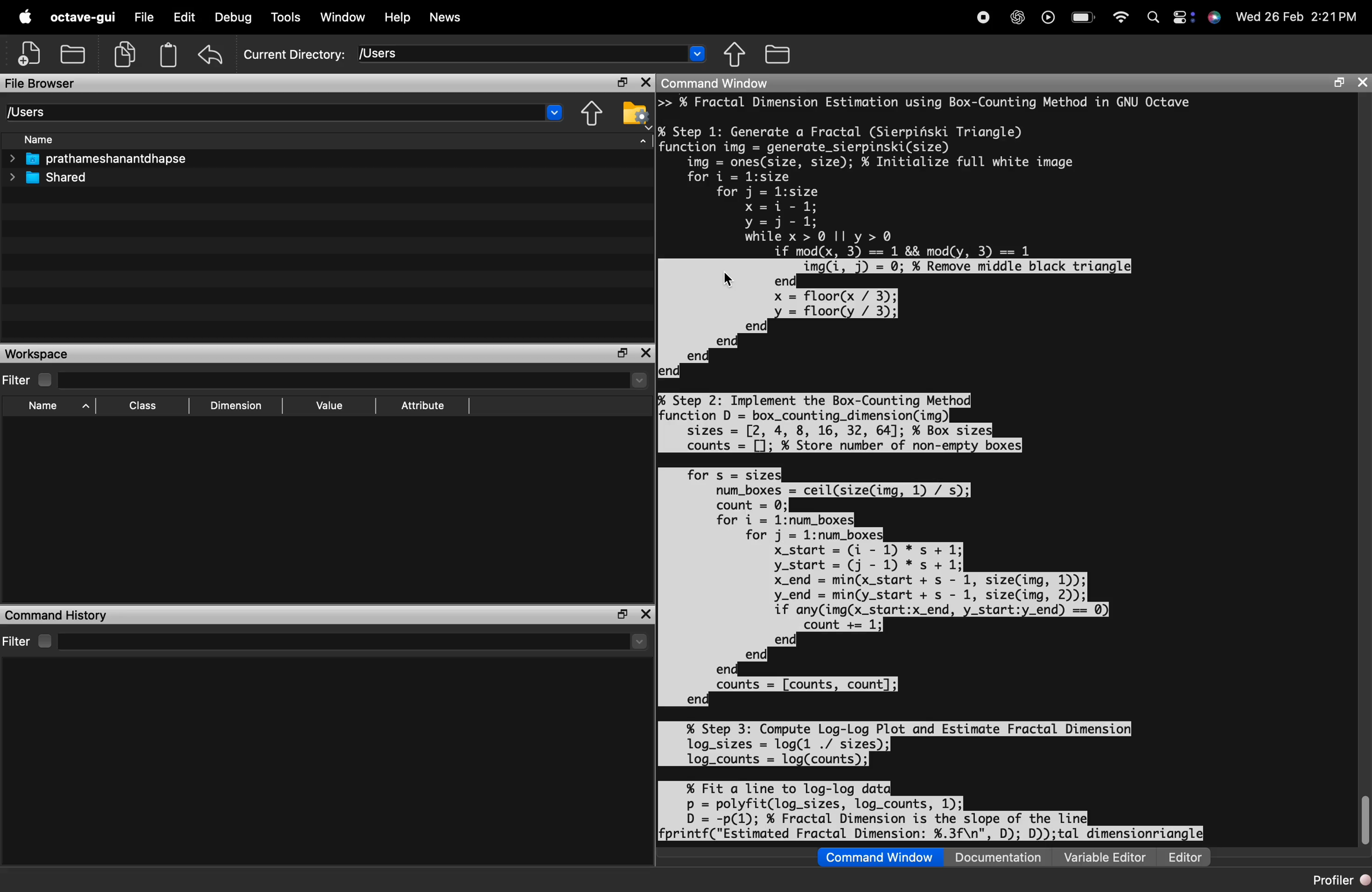 The image size is (1372, 892). I want to click on more options, so click(639, 641).